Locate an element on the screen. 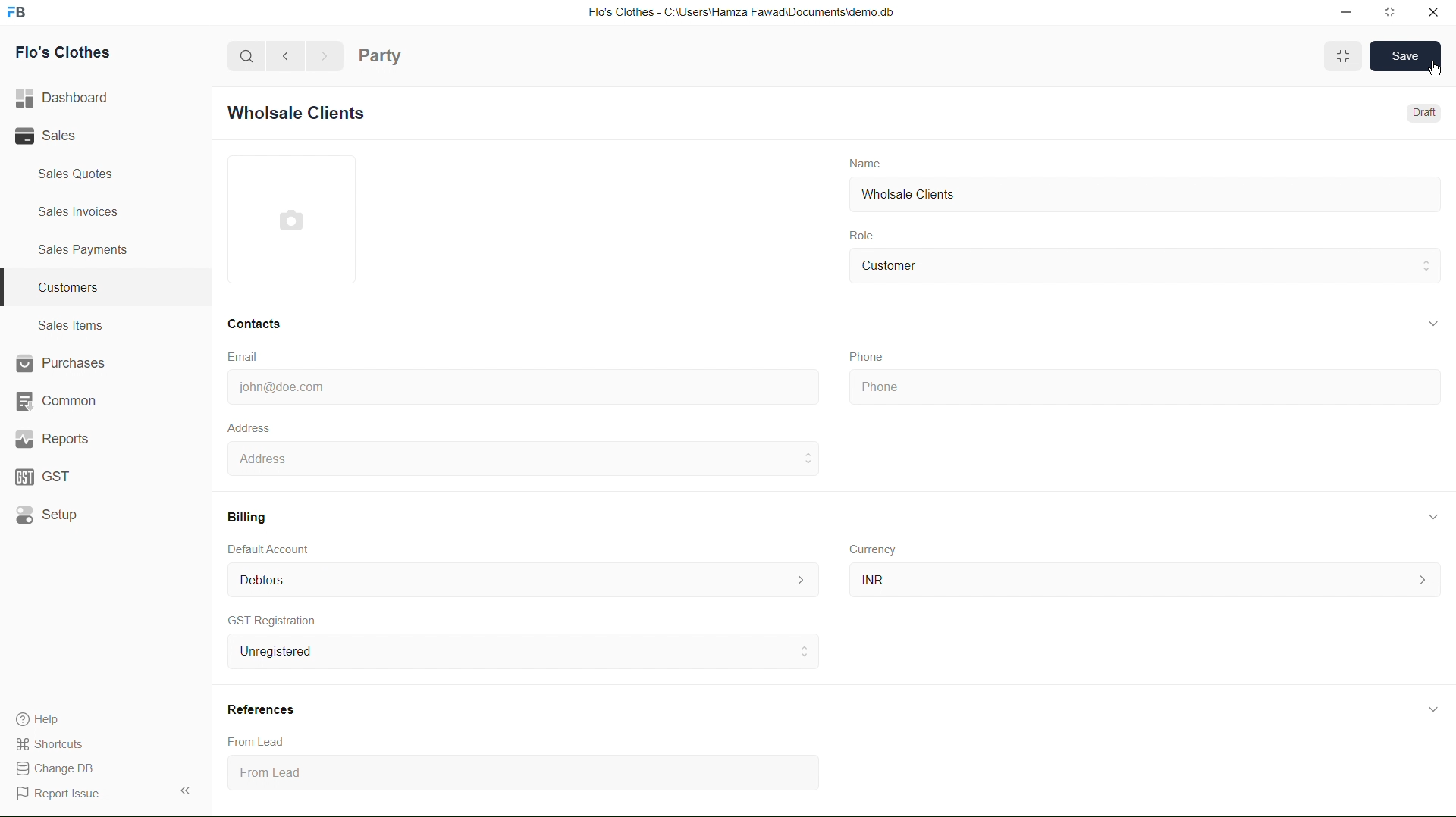 The width and height of the screenshot is (1456, 817). Common is located at coordinates (56, 401).